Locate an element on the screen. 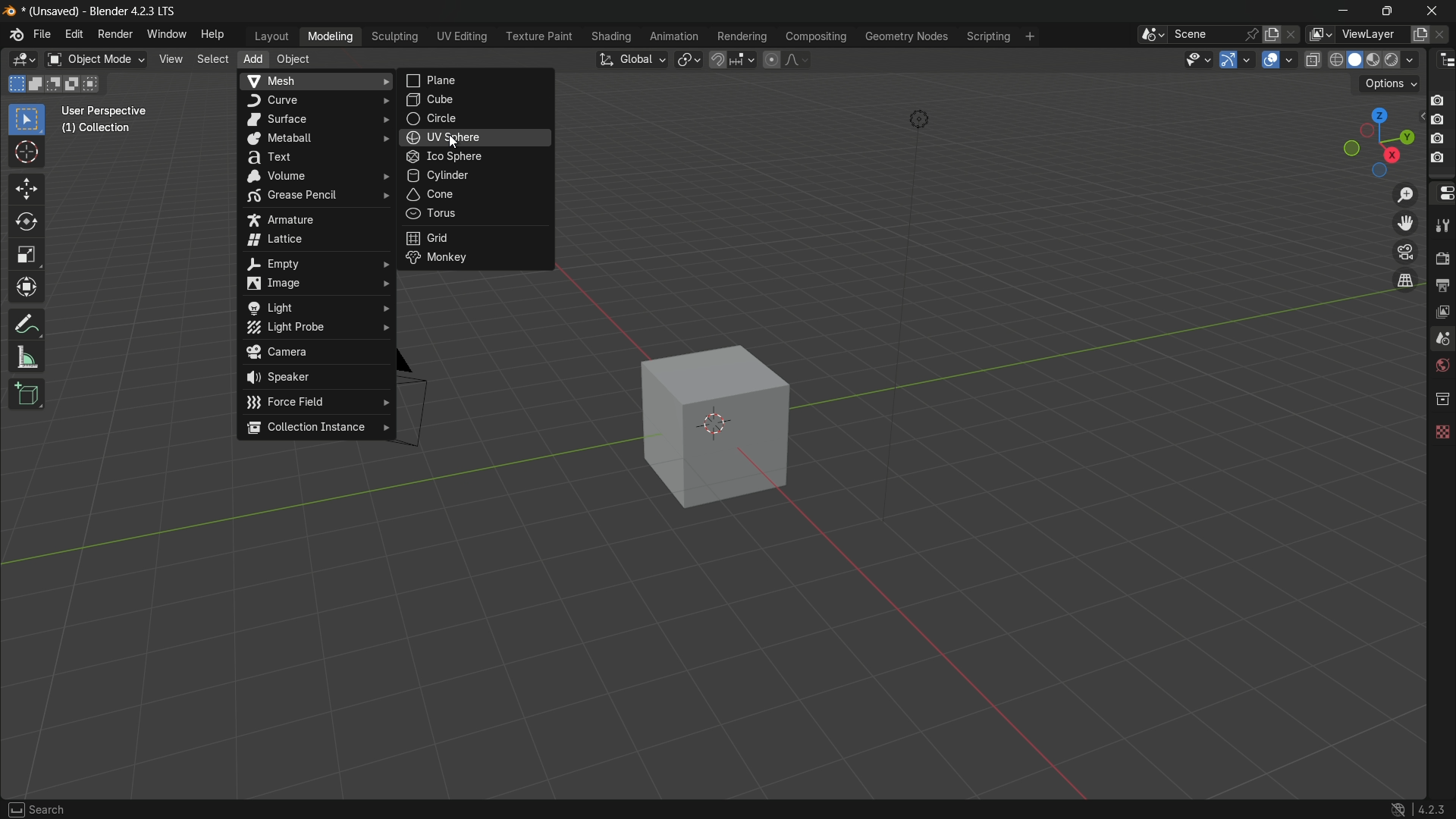 The width and height of the screenshot is (1456, 819). 4.2.3 is located at coordinates (1432, 808).